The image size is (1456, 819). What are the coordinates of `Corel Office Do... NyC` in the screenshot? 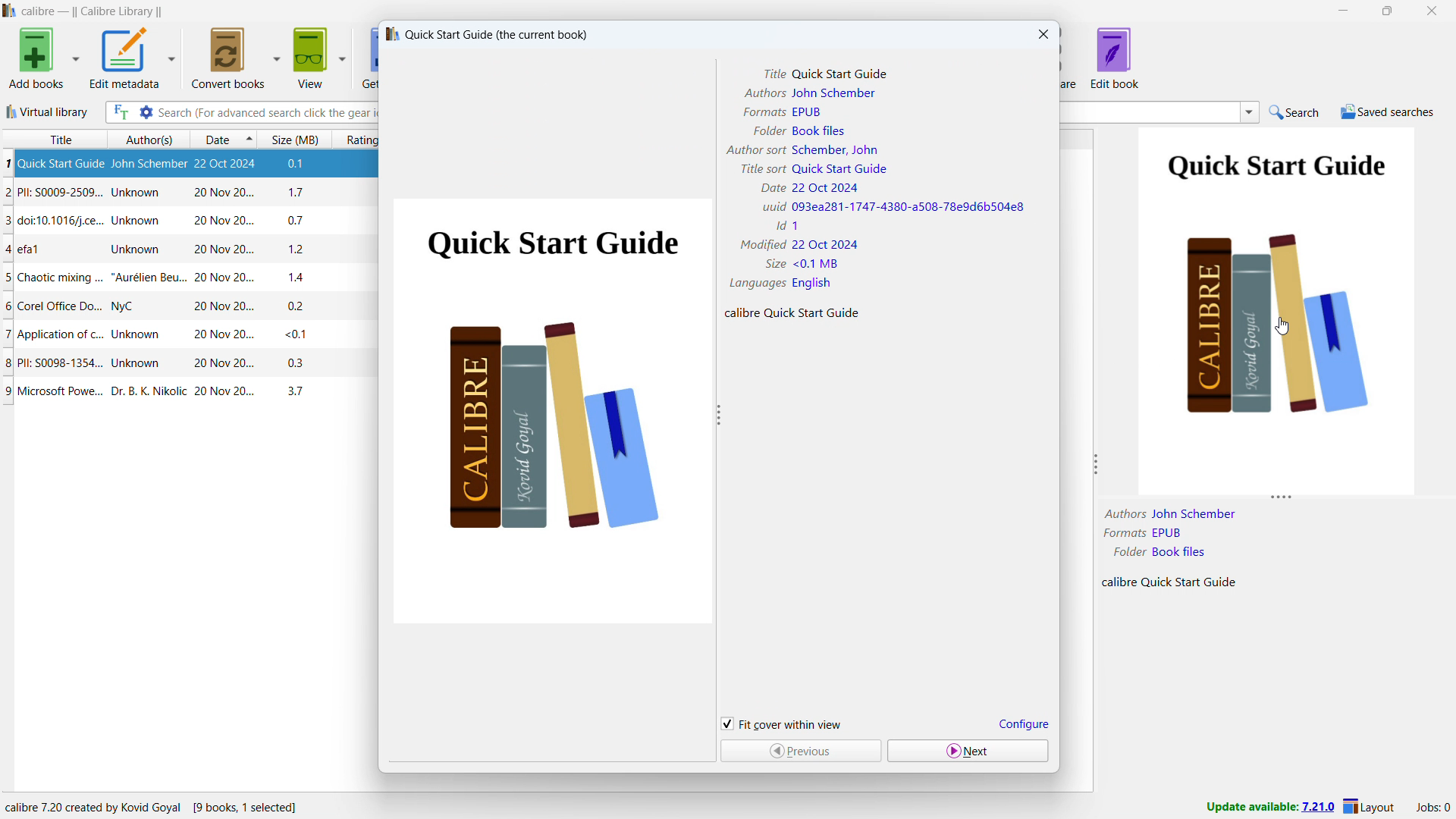 It's located at (77, 308).